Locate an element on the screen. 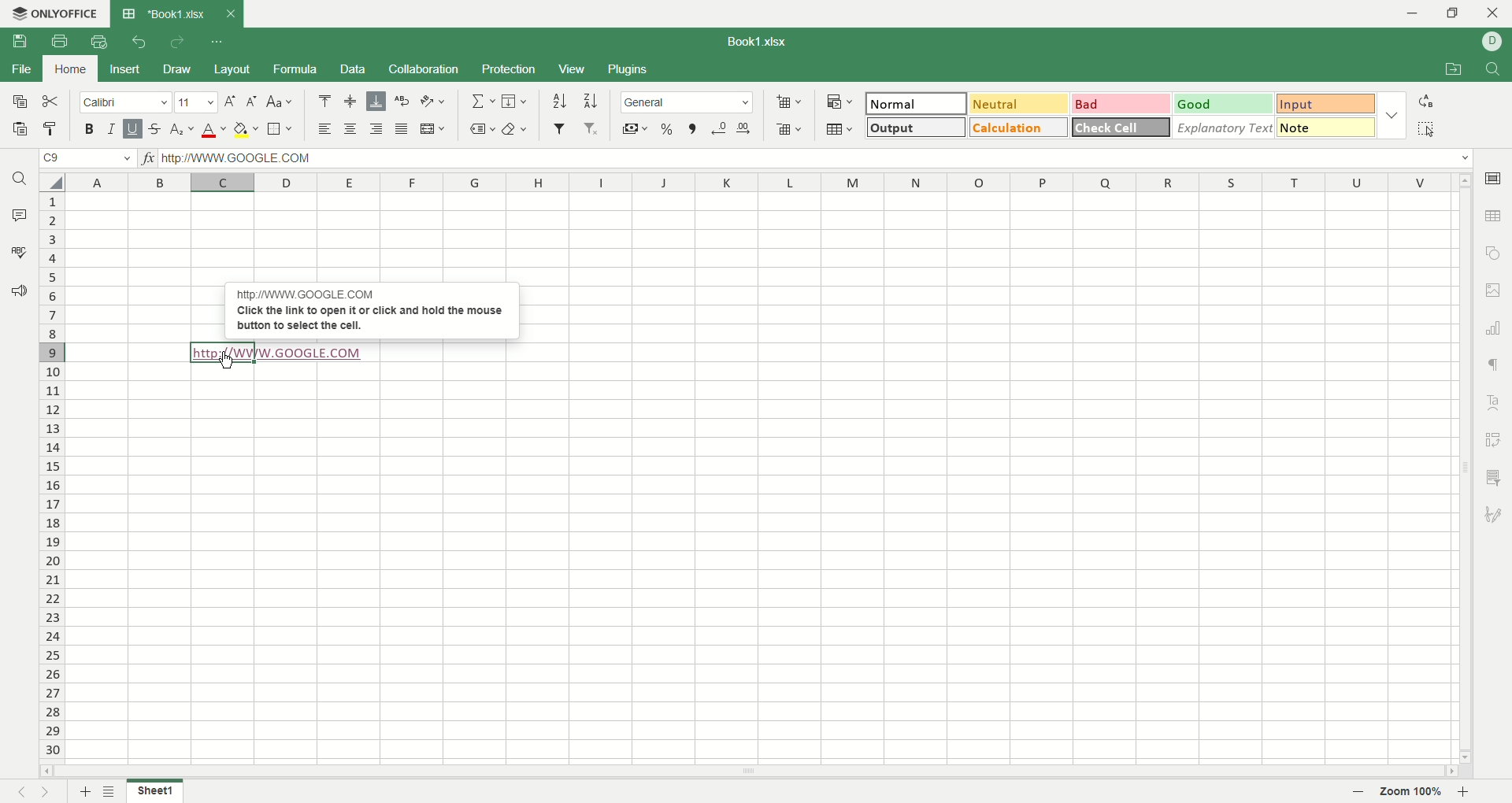  justified is located at coordinates (402, 129).